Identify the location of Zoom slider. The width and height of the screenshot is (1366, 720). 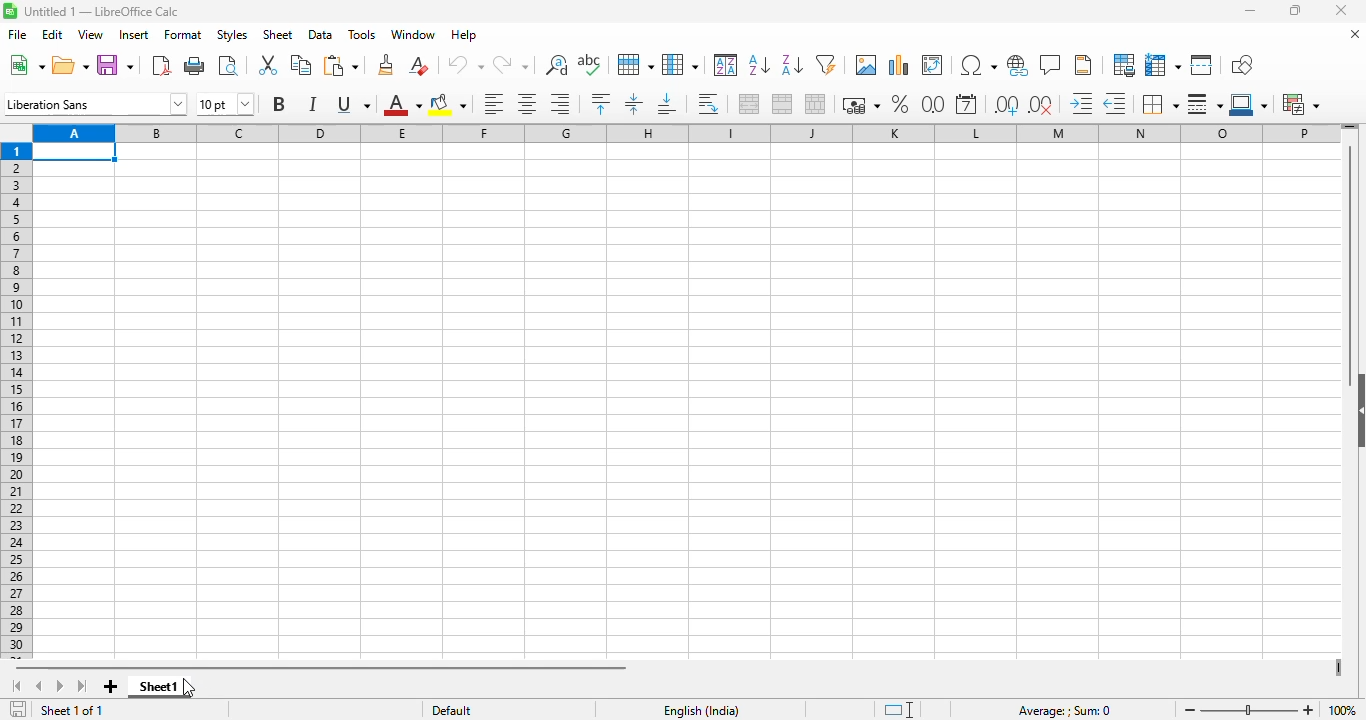
(1249, 711).